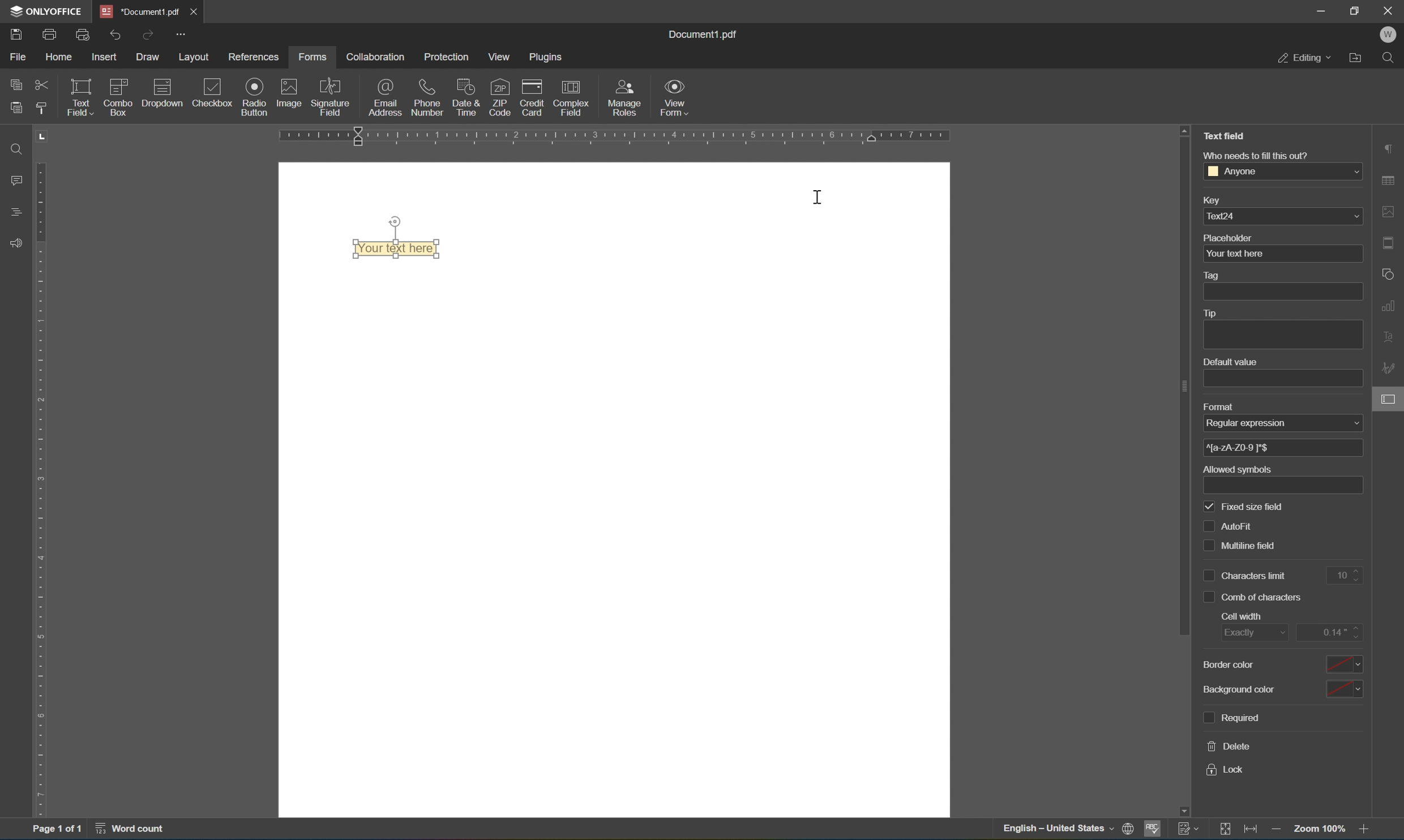  Describe the element at coordinates (50, 36) in the screenshot. I see `print` at that location.